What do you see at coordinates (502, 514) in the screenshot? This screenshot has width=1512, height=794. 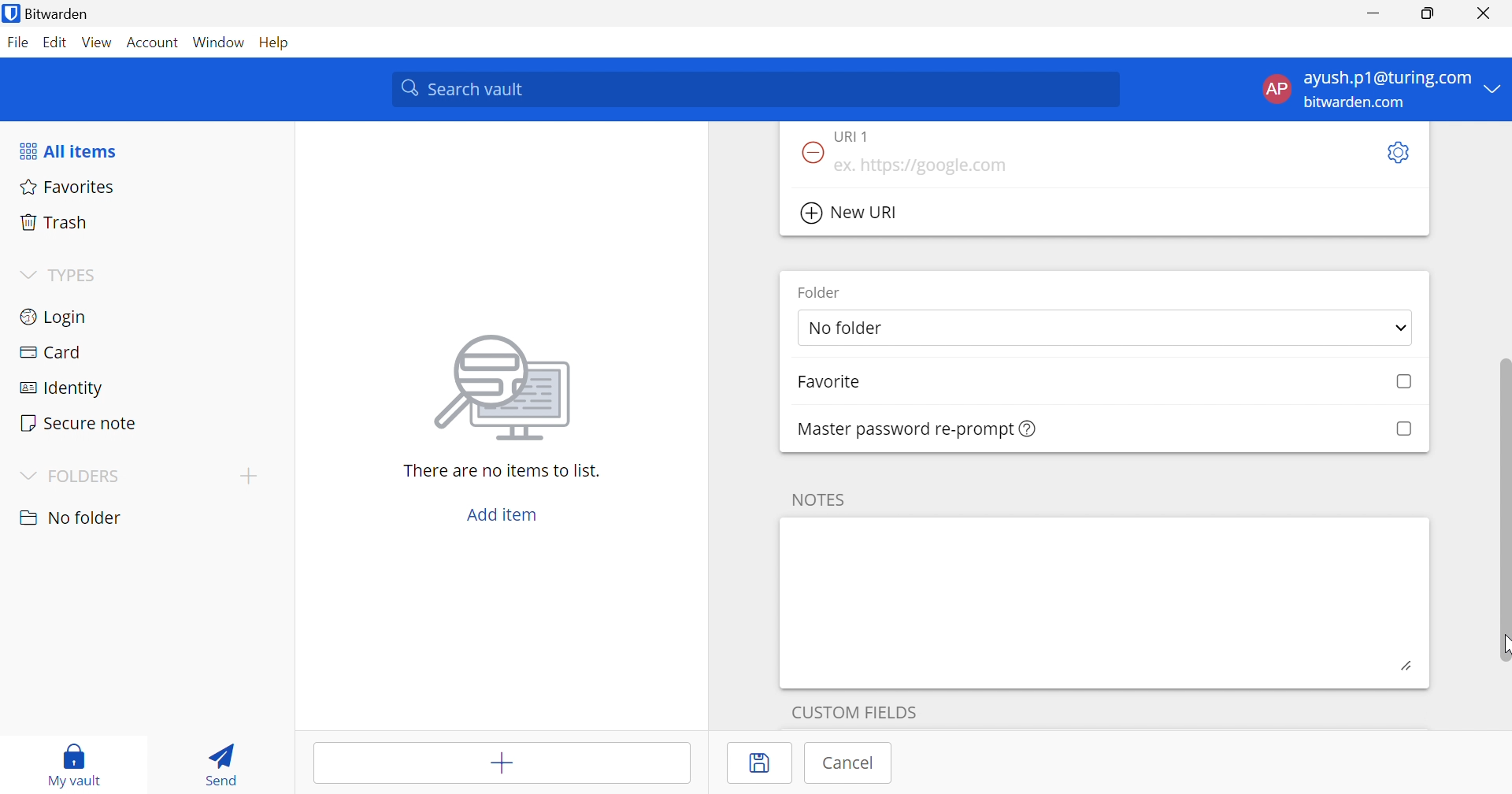 I see `Add item` at bounding box center [502, 514].